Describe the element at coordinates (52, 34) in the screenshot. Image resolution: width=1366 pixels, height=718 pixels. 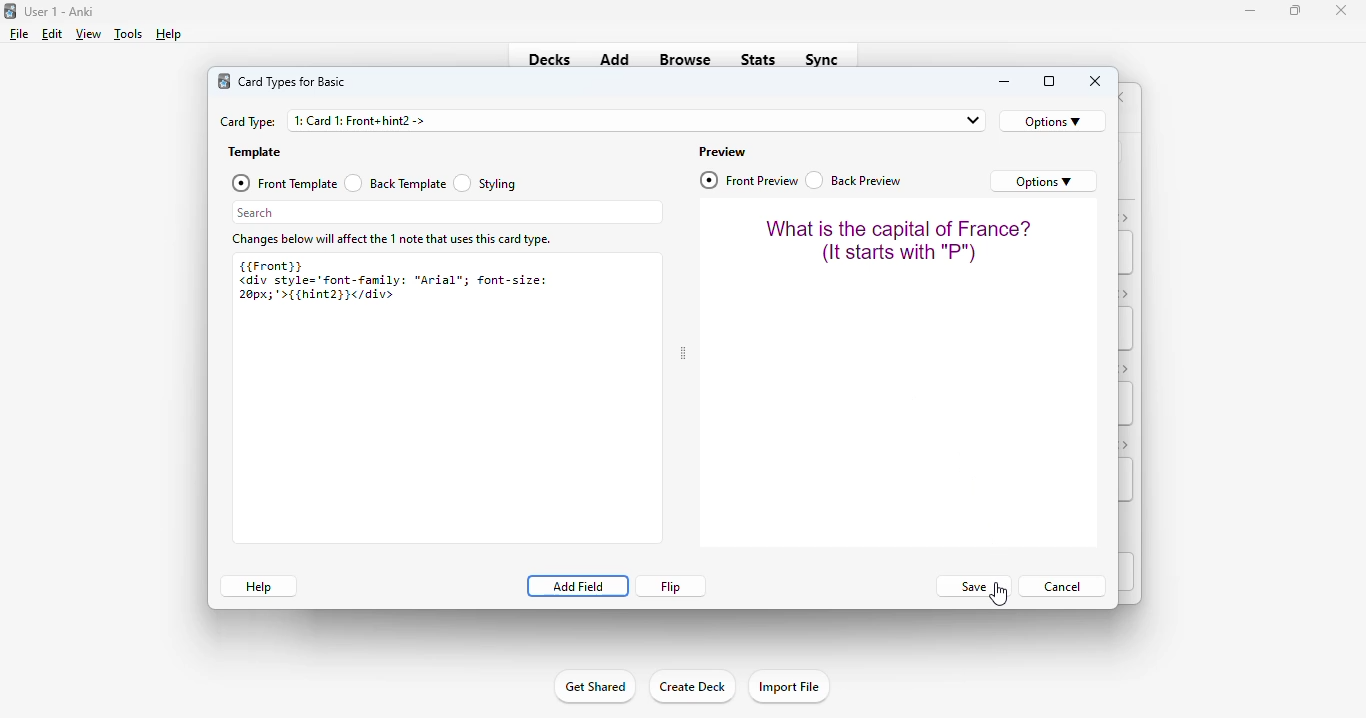
I see `edit` at that location.